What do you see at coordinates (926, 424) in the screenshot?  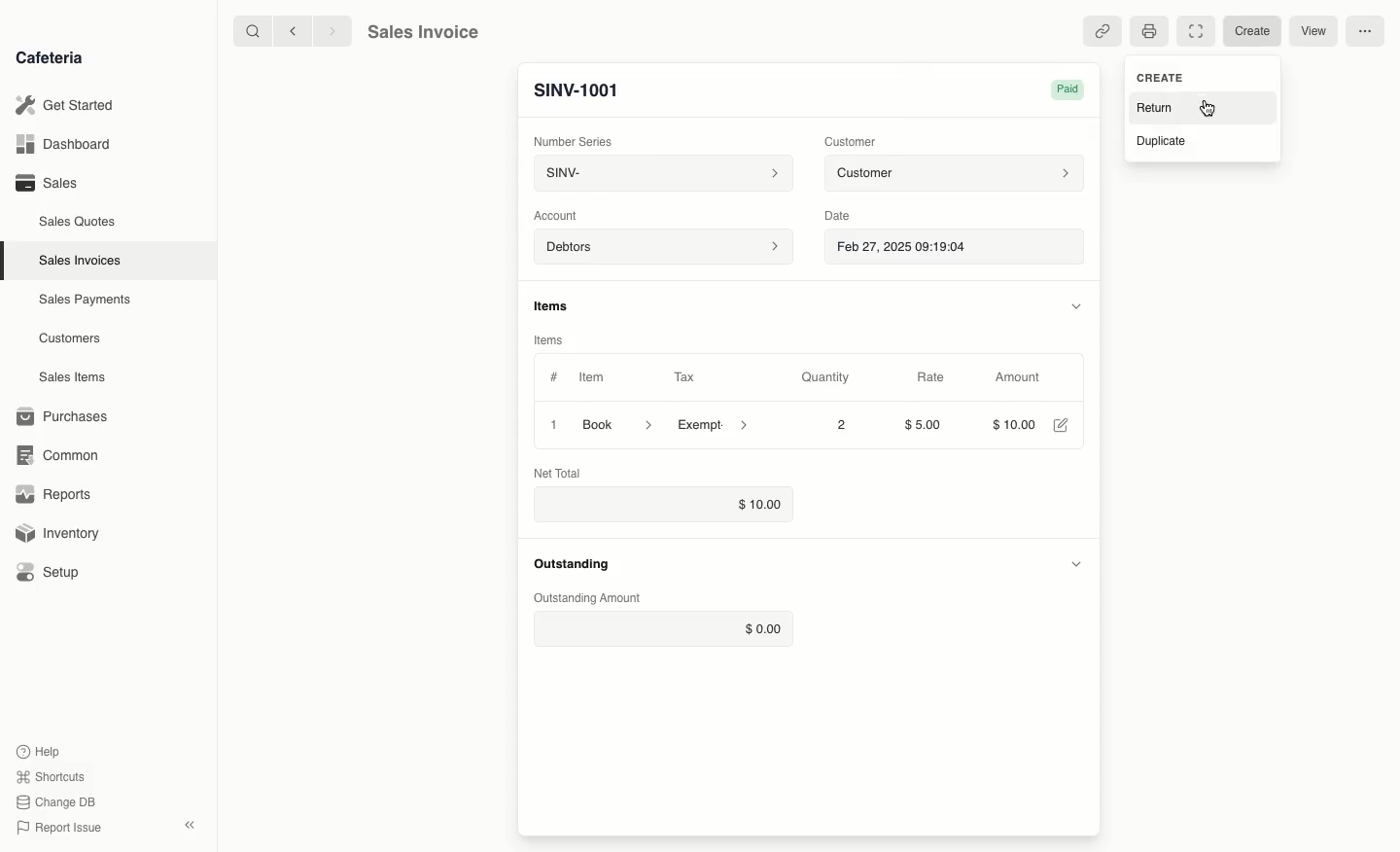 I see `$5.00` at bounding box center [926, 424].